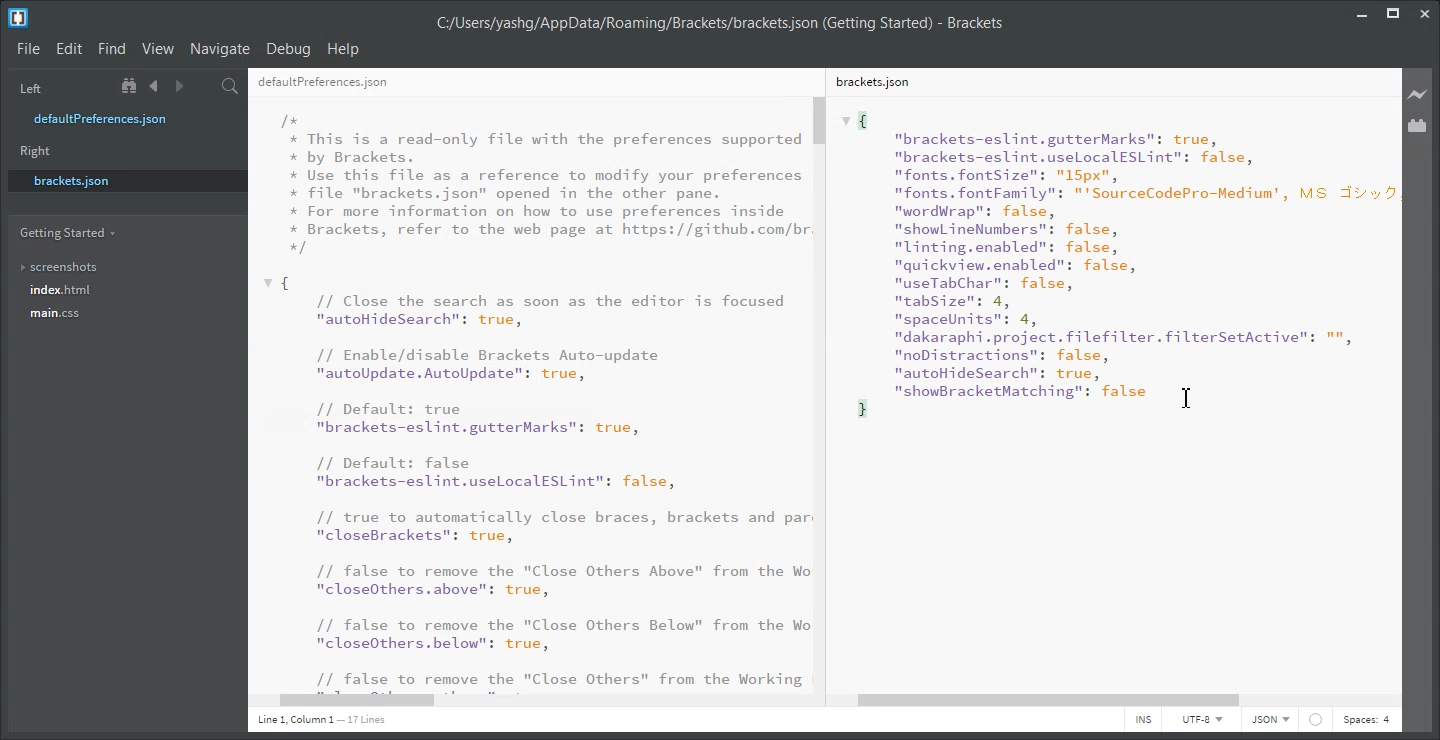 This screenshot has width=1440, height=740. I want to click on Debug, so click(289, 50).